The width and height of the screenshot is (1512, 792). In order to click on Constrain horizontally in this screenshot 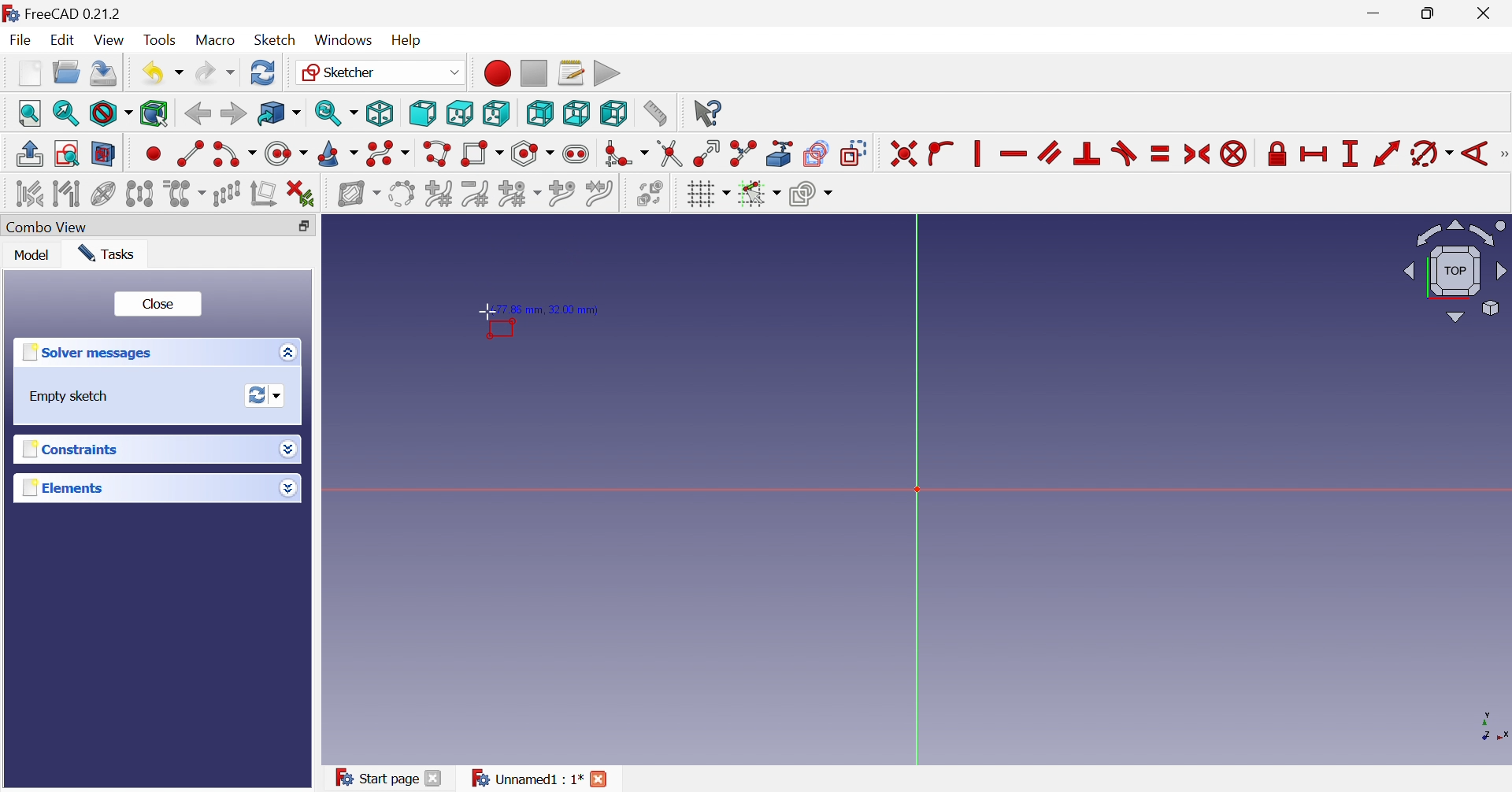, I will do `click(1013, 154)`.